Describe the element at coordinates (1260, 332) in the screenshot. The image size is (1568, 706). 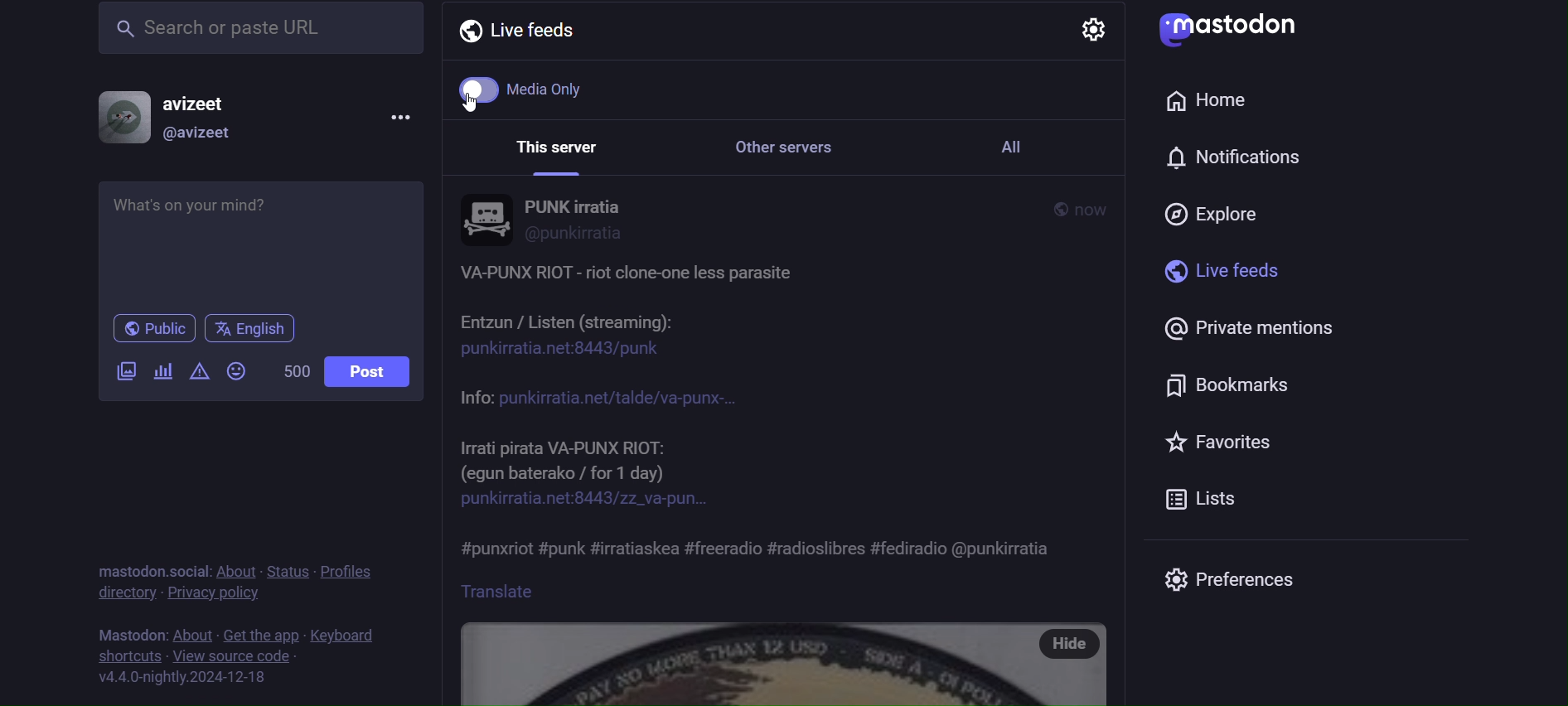
I see `private mentions` at that location.